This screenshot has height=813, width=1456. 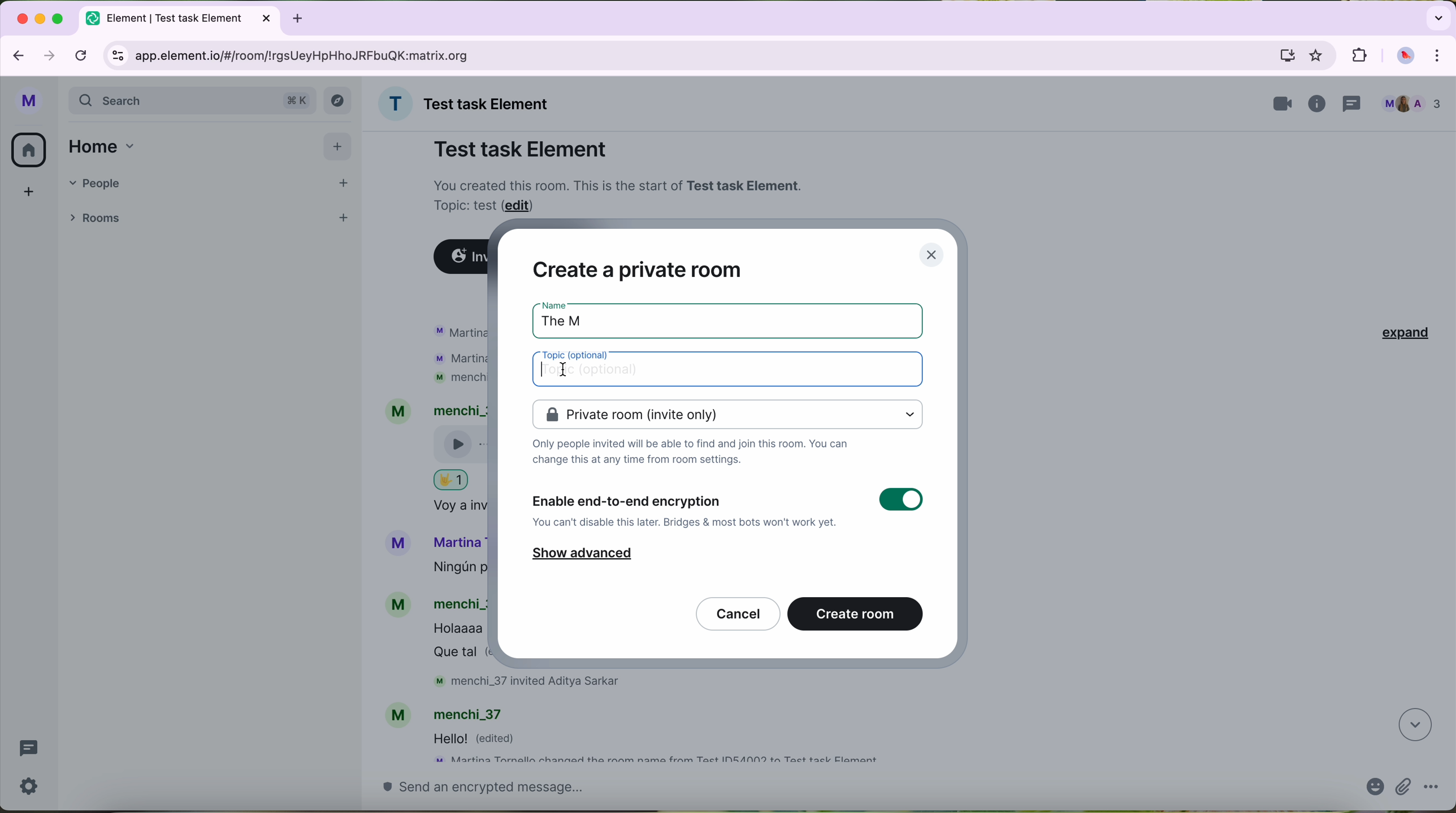 What do you see at coordinates (15, 53) in the screenshot?
I see `navigate back` at bounding box center [15, 53].